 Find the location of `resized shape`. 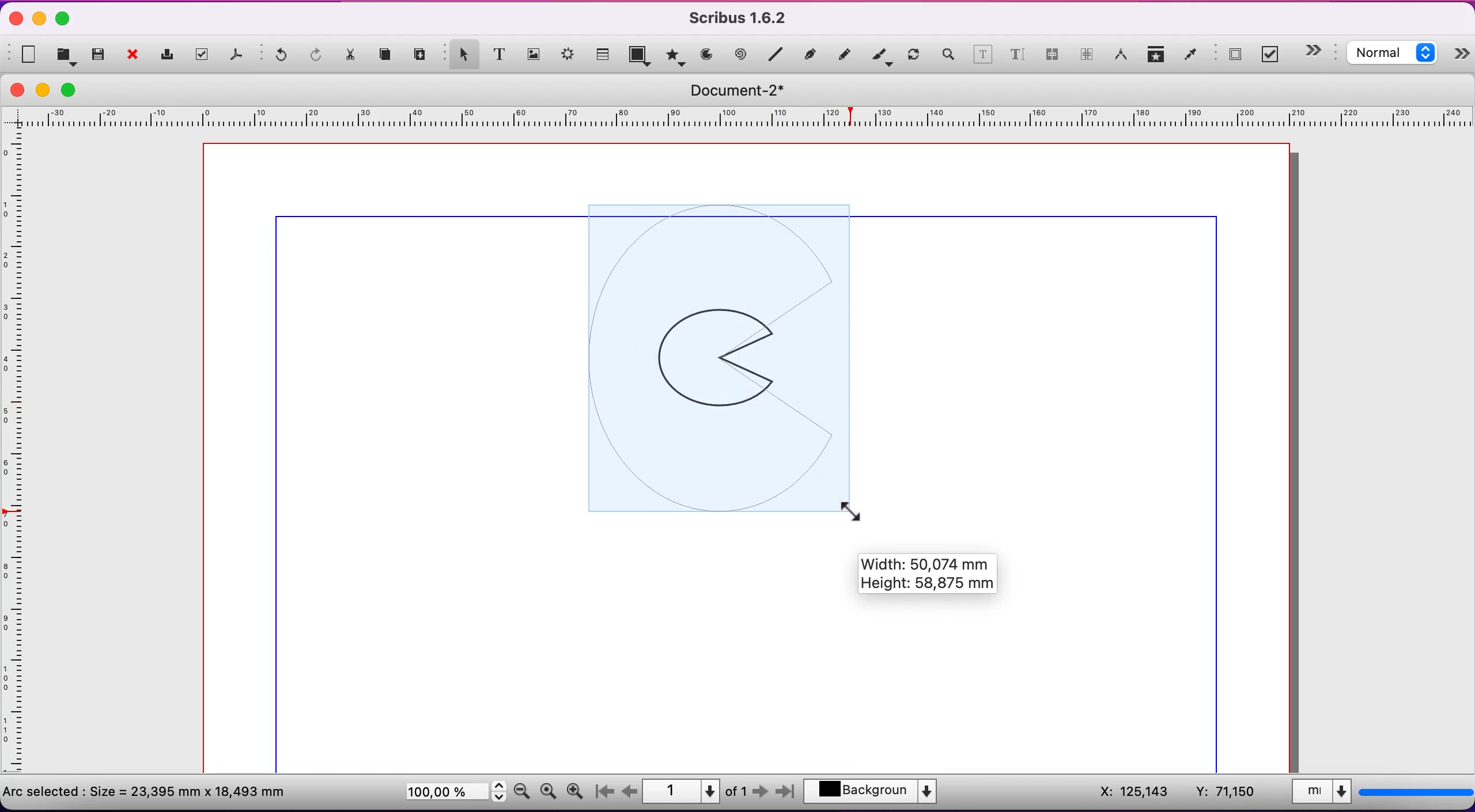

resized shape is located at coordinates (725, 359).